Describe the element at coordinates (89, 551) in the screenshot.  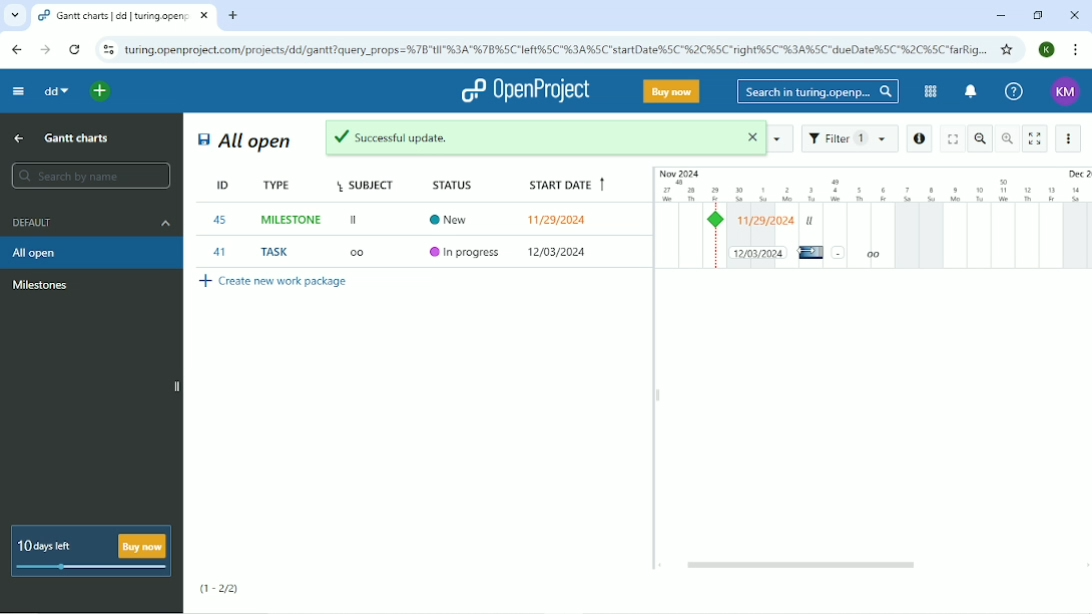
I see `10 days left` at that location.